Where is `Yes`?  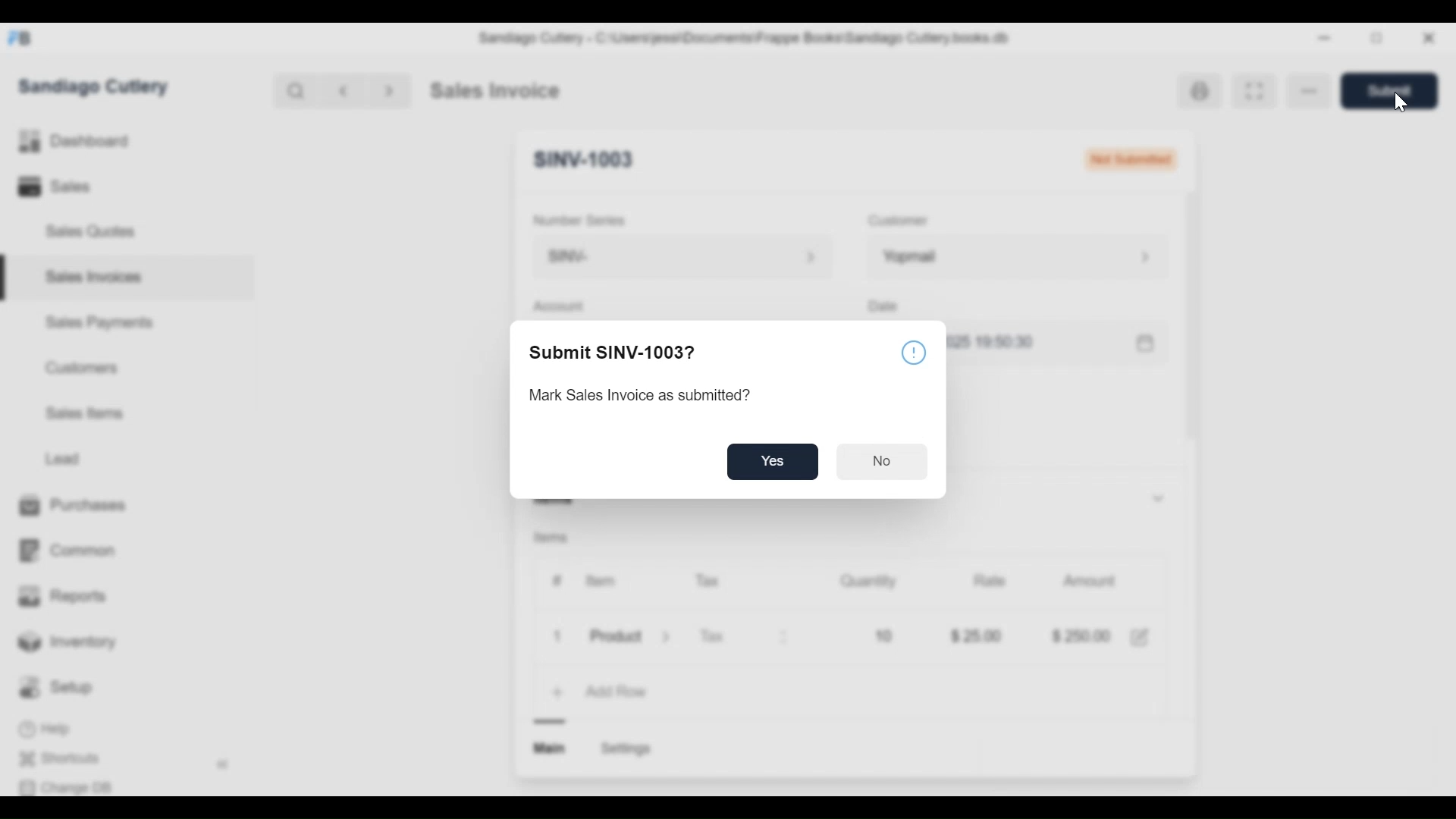
Yes is located at coordinates (771, 463).